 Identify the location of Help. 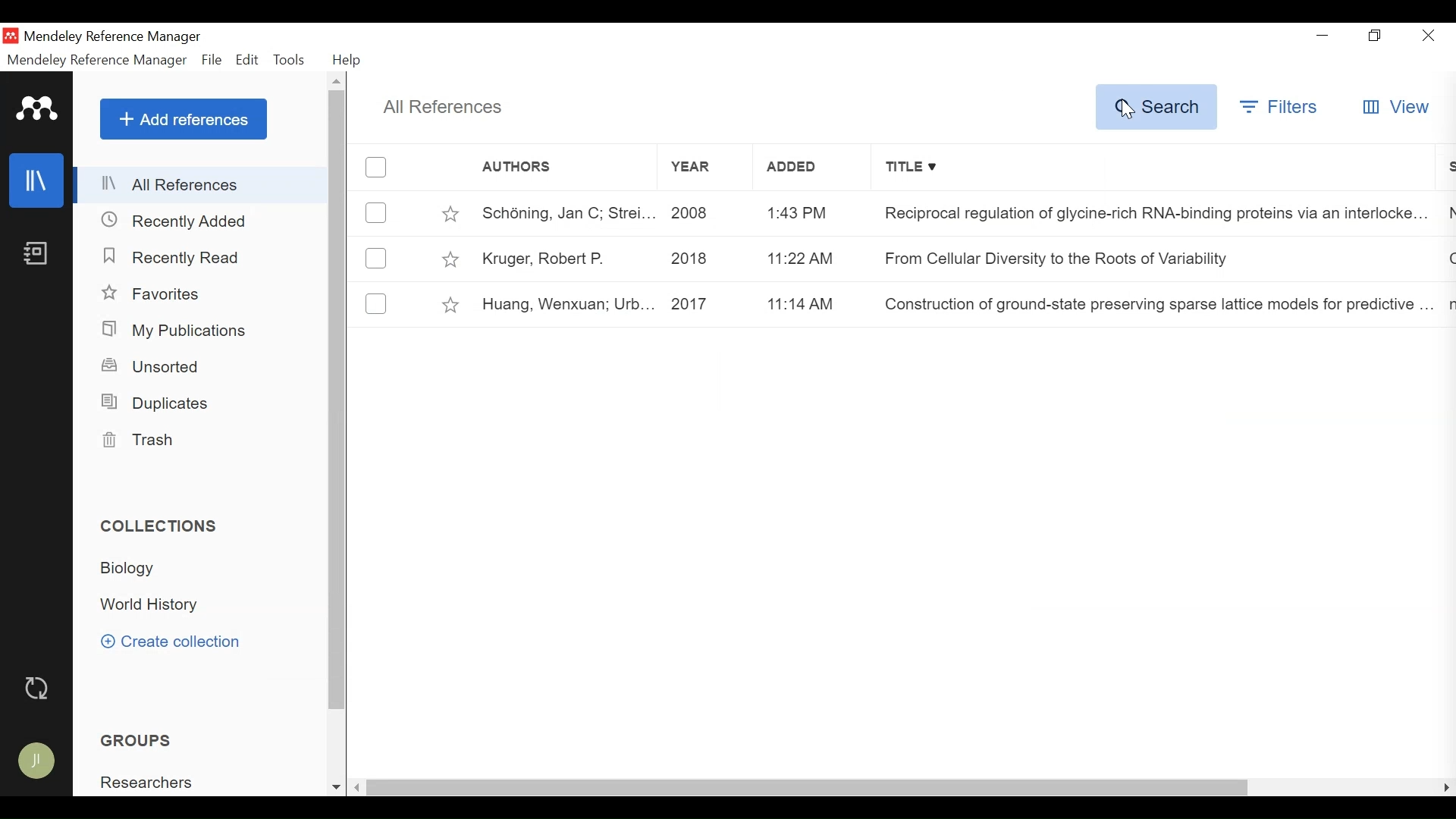
(347, 61).